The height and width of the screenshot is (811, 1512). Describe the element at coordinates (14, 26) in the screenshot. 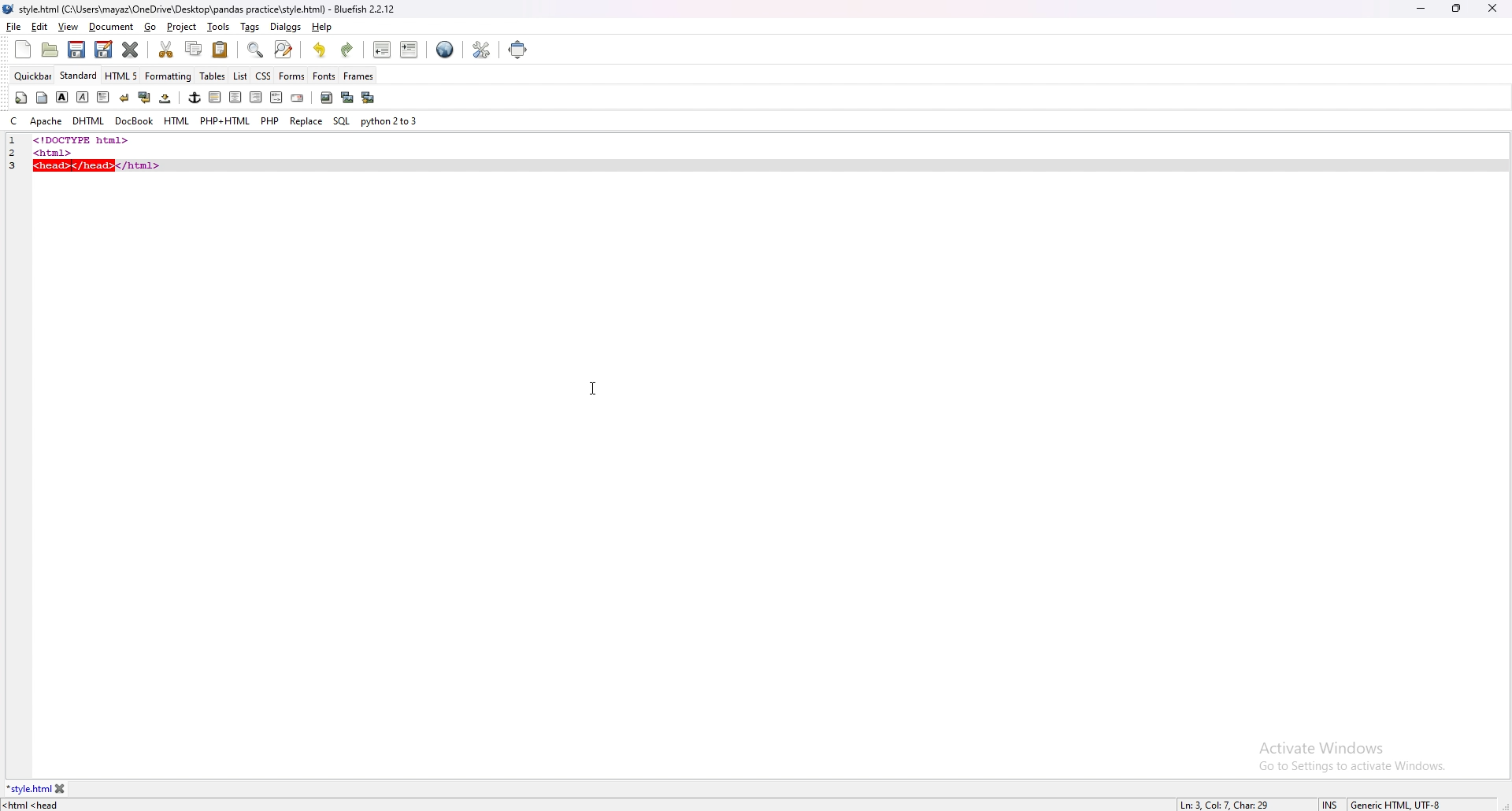

I see `file` at that location.